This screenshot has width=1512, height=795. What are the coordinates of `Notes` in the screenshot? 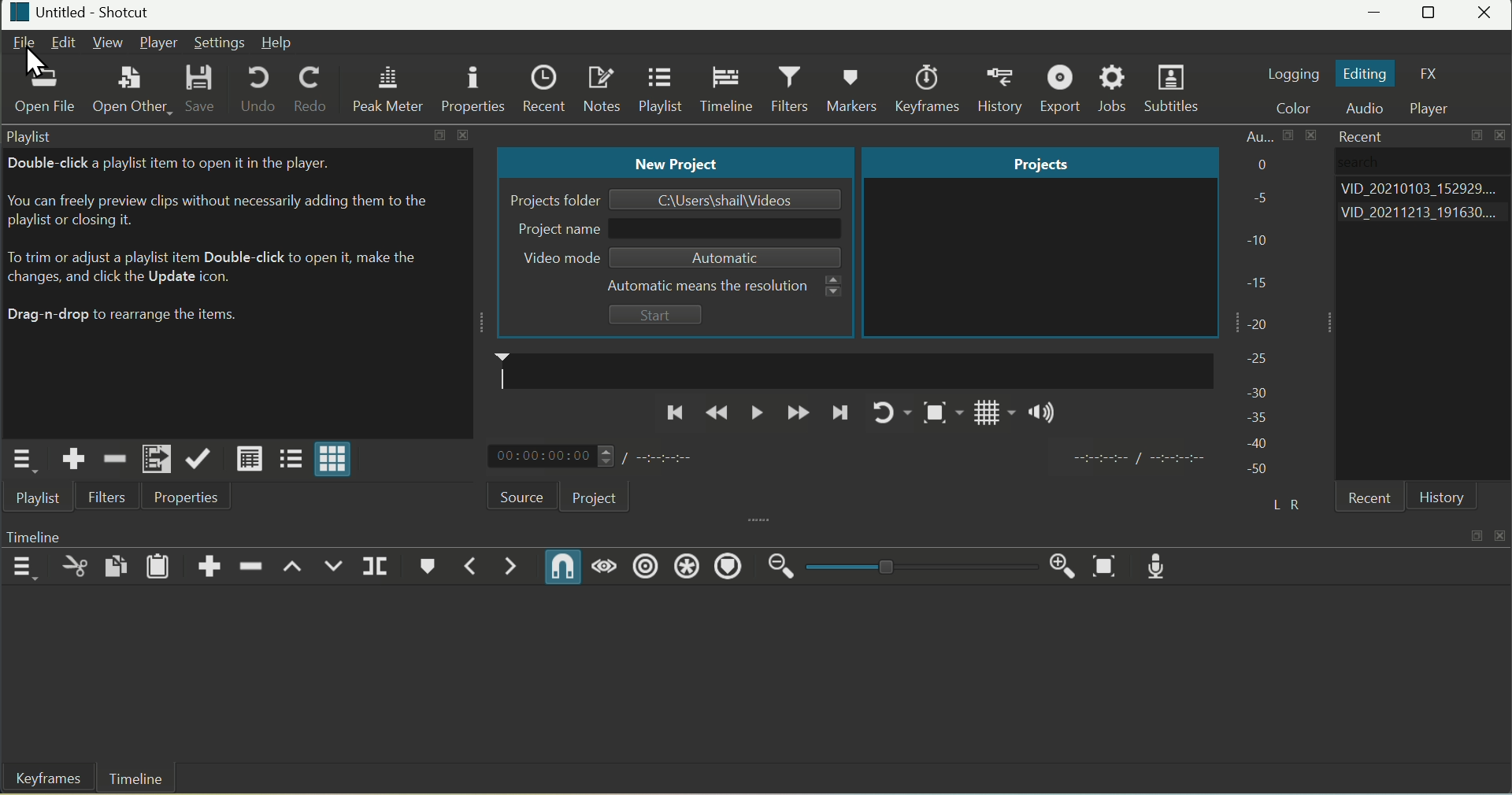 It's located at (602, 88).